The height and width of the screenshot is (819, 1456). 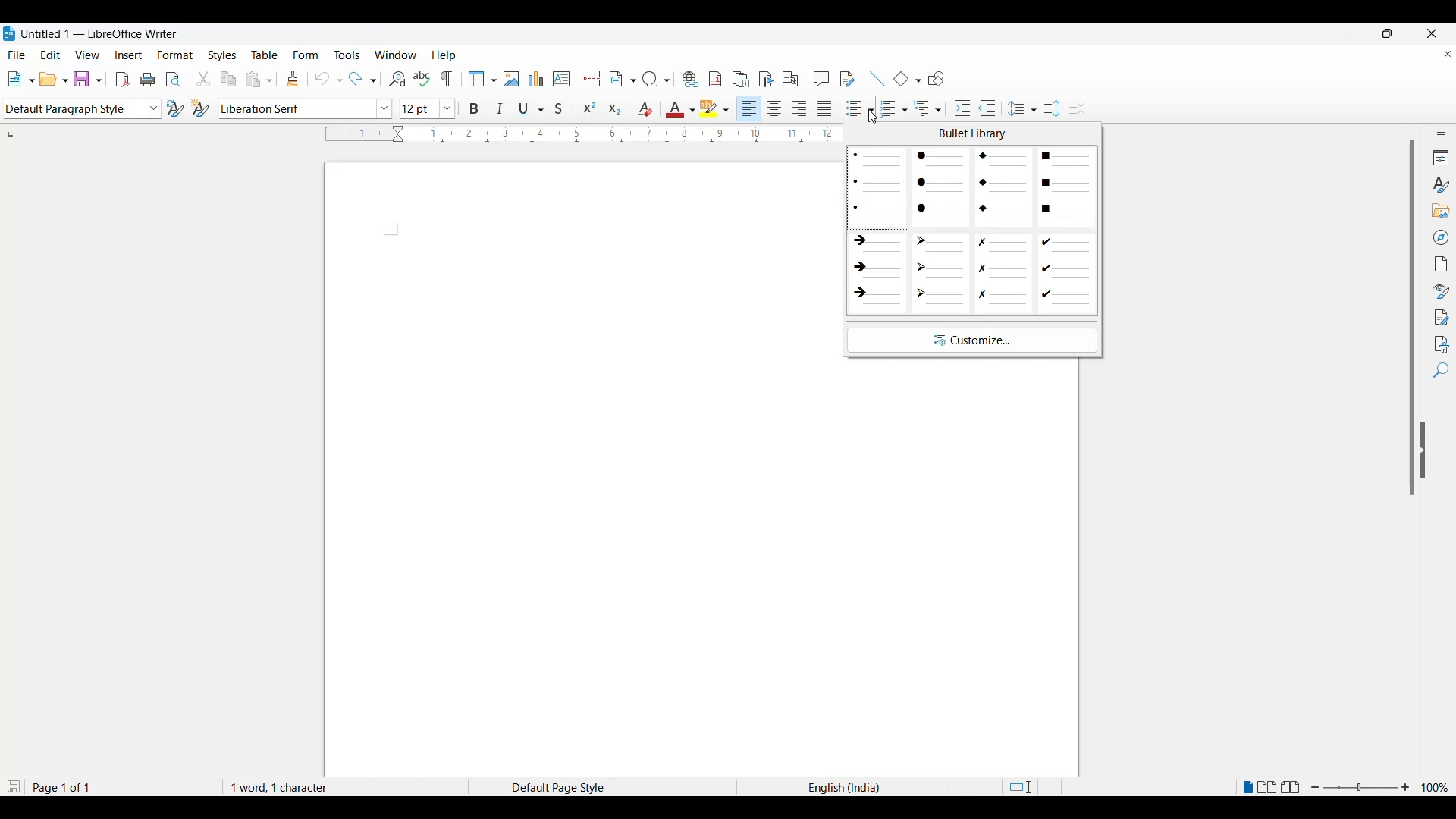 What do you see at coordinates (827, 106) in the screenshot?
I see `justify` at bounding box center [827, 106].